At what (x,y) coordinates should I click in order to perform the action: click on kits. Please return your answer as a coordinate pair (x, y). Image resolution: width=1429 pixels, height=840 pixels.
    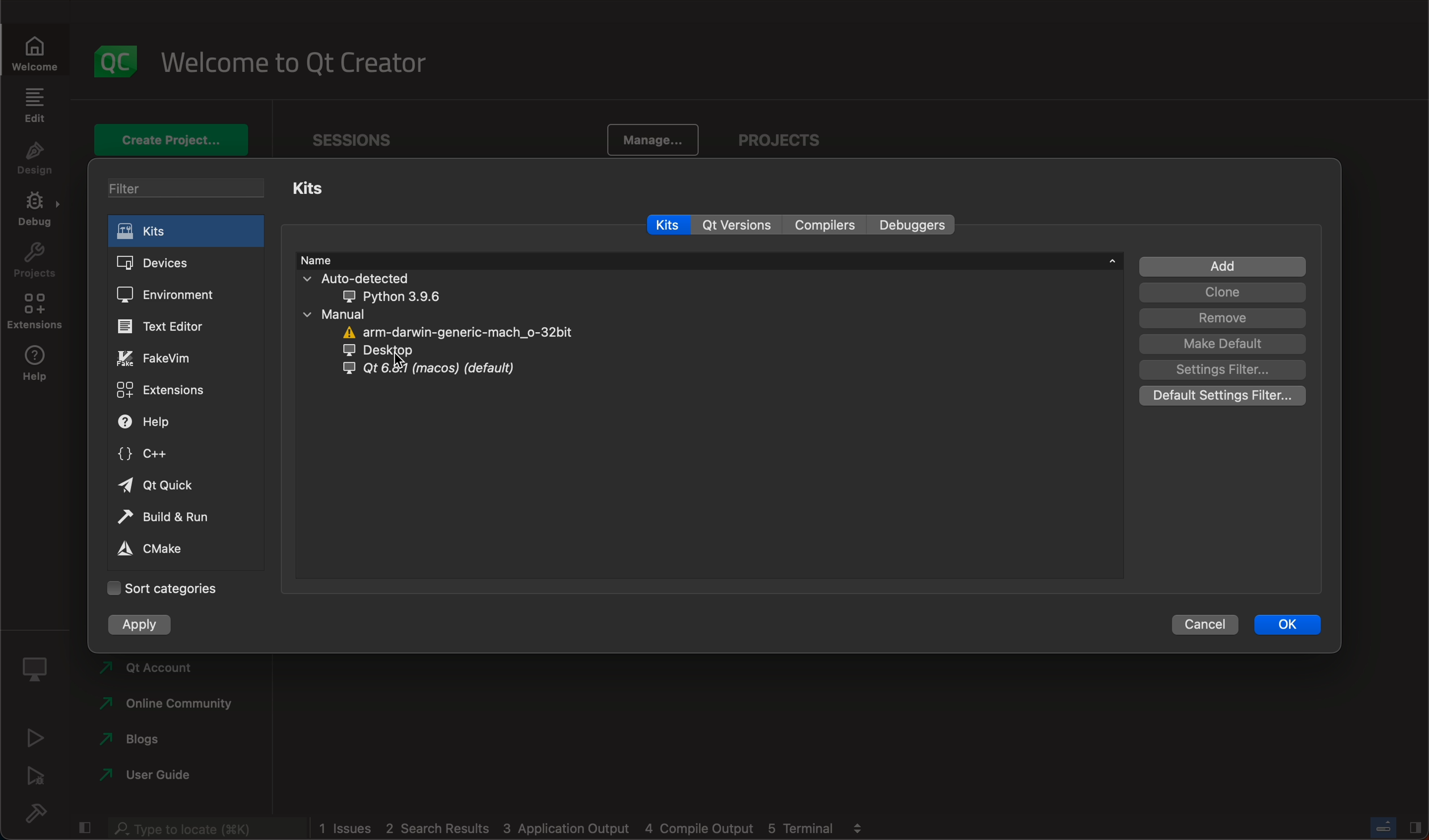
    Looking at the image, I should click on (315, 189).